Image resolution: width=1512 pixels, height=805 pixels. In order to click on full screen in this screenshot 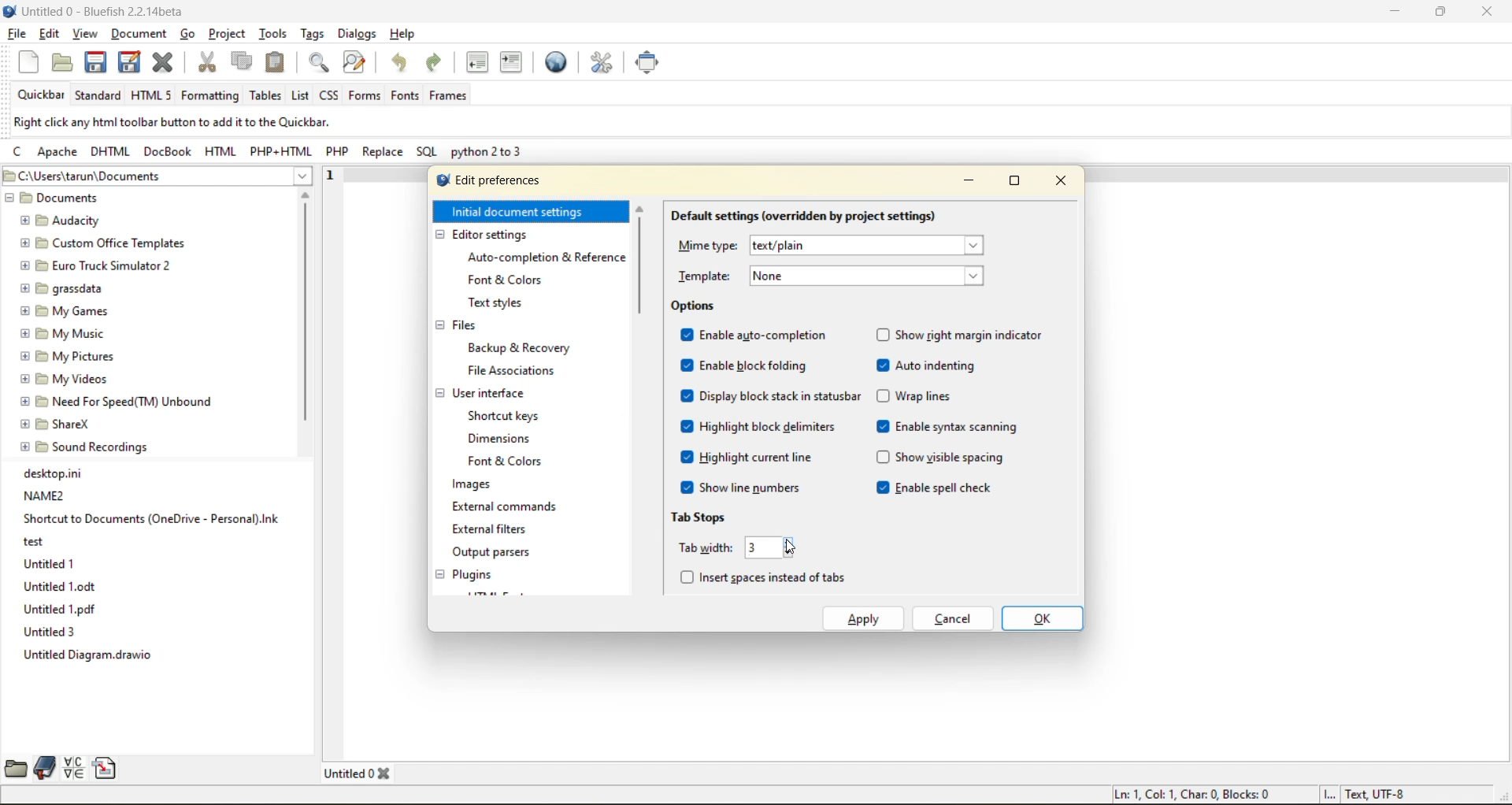, I will do `click(648, 64)`.